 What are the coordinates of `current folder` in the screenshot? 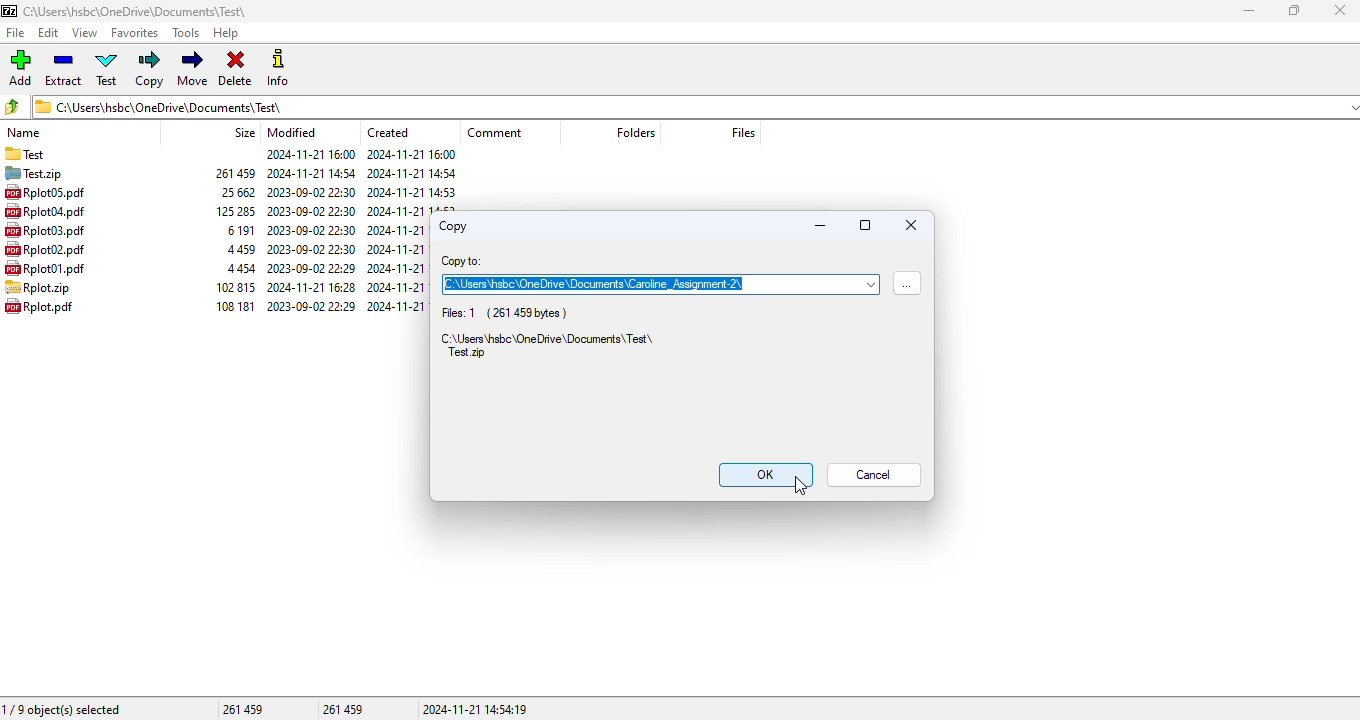 It's located at (694, 107).